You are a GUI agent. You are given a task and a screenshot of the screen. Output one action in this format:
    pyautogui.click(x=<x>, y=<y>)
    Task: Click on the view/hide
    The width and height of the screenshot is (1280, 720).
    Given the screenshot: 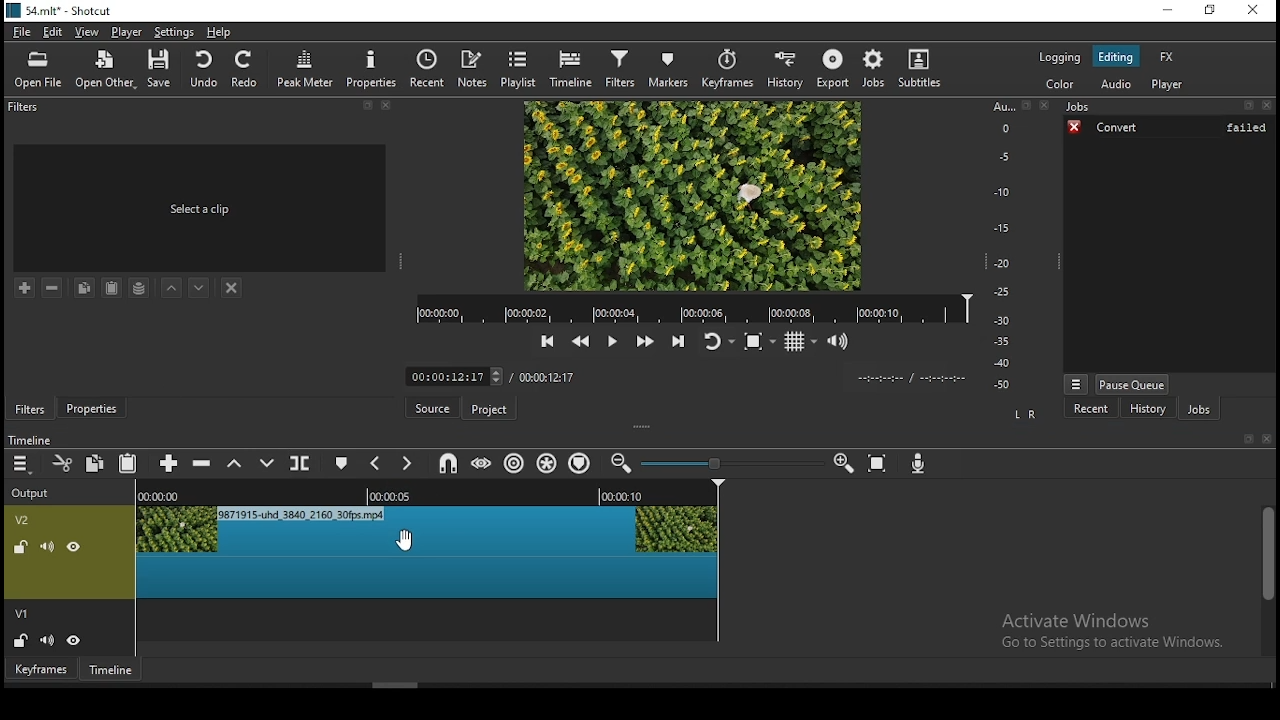 What is the action you would take?
    pyautogui.click(x=75, y=639)
    